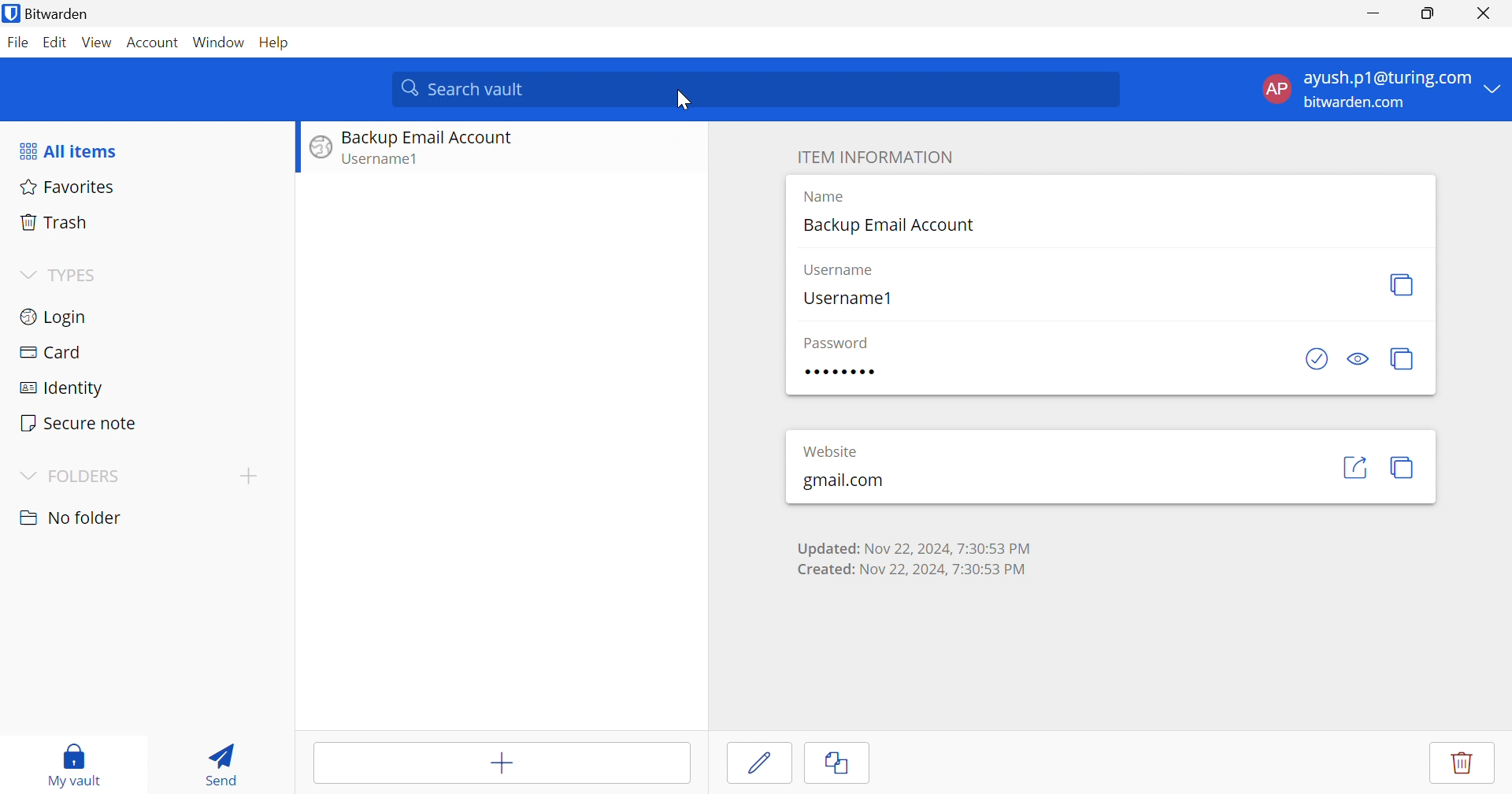 The height and width of the screenshot is (794, 1512). What do you see at coordinates (74, 274) in the screenshot?
I see `TYPES` at bounding box center [74, 274].